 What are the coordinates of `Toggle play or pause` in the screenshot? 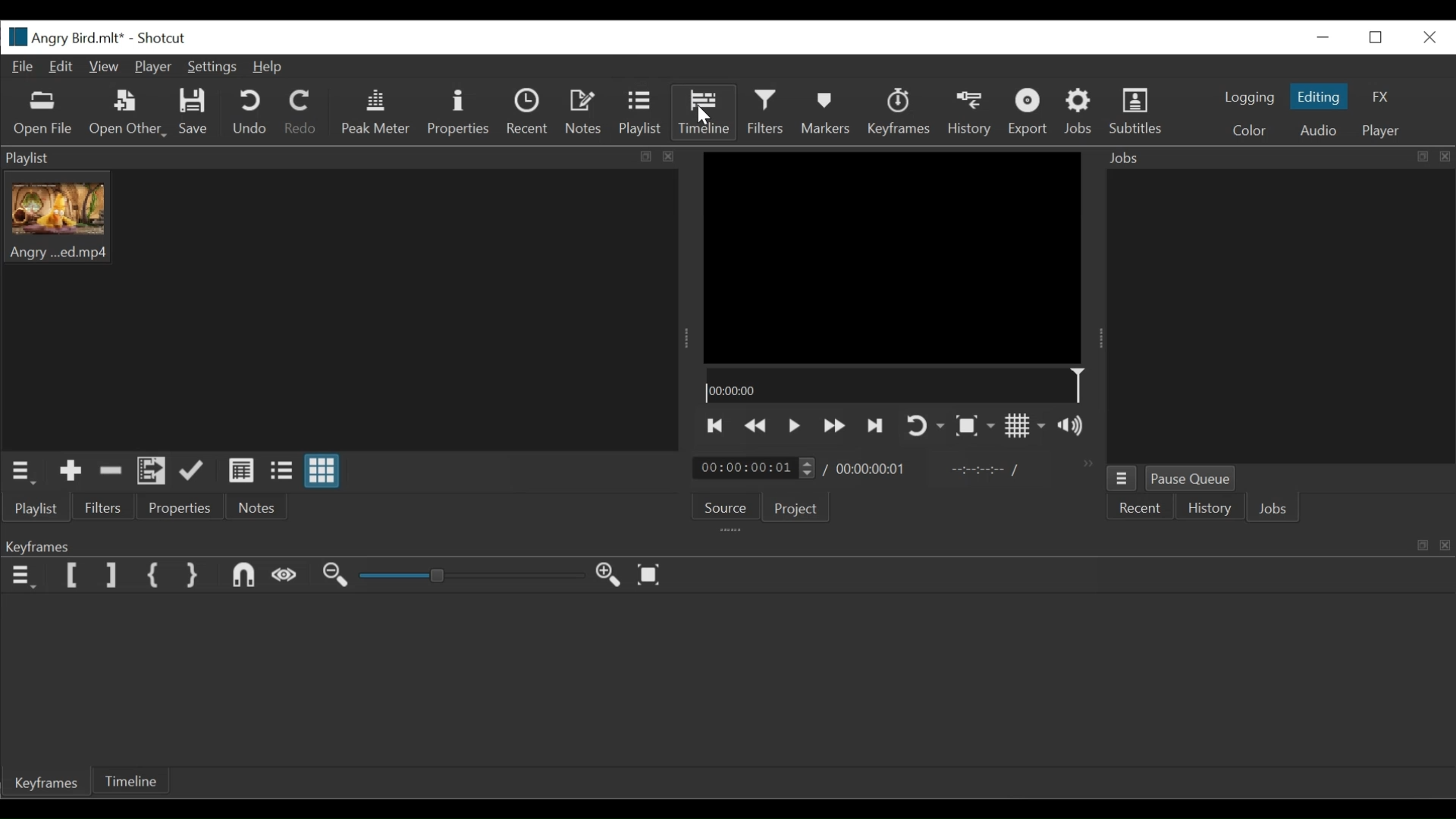 It's located at (793, 425).